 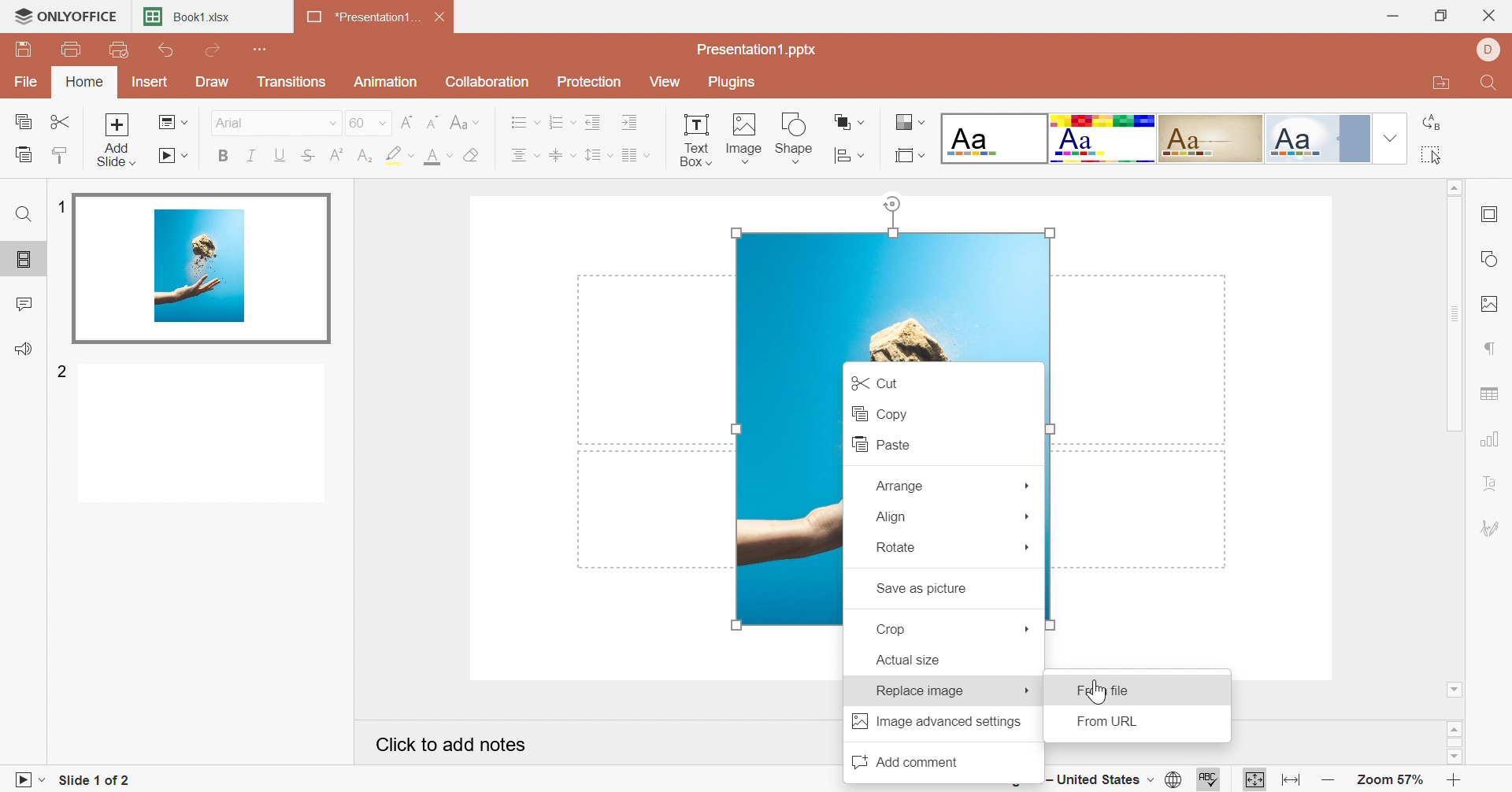 I want to click on Select All, so click(x=1432, y=156).